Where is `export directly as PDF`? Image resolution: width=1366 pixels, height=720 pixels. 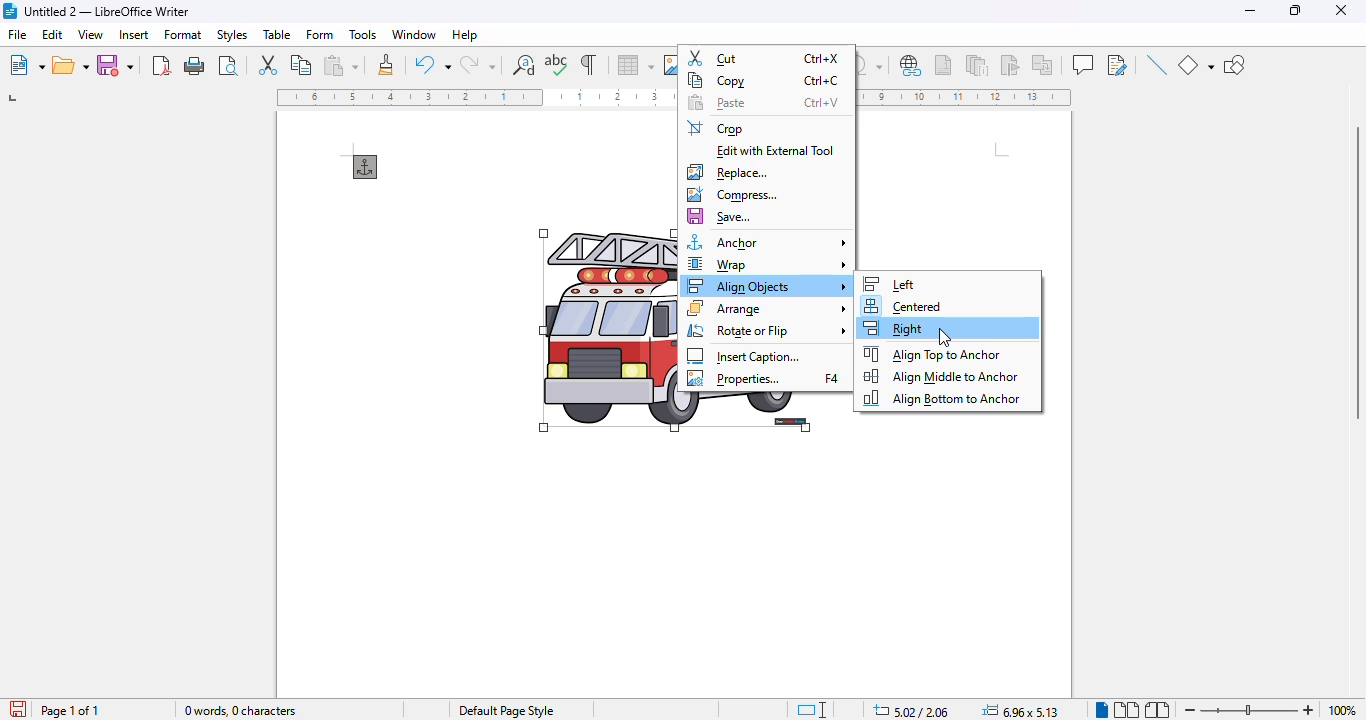 export directly as PDF is located at coordinates (162, 65).